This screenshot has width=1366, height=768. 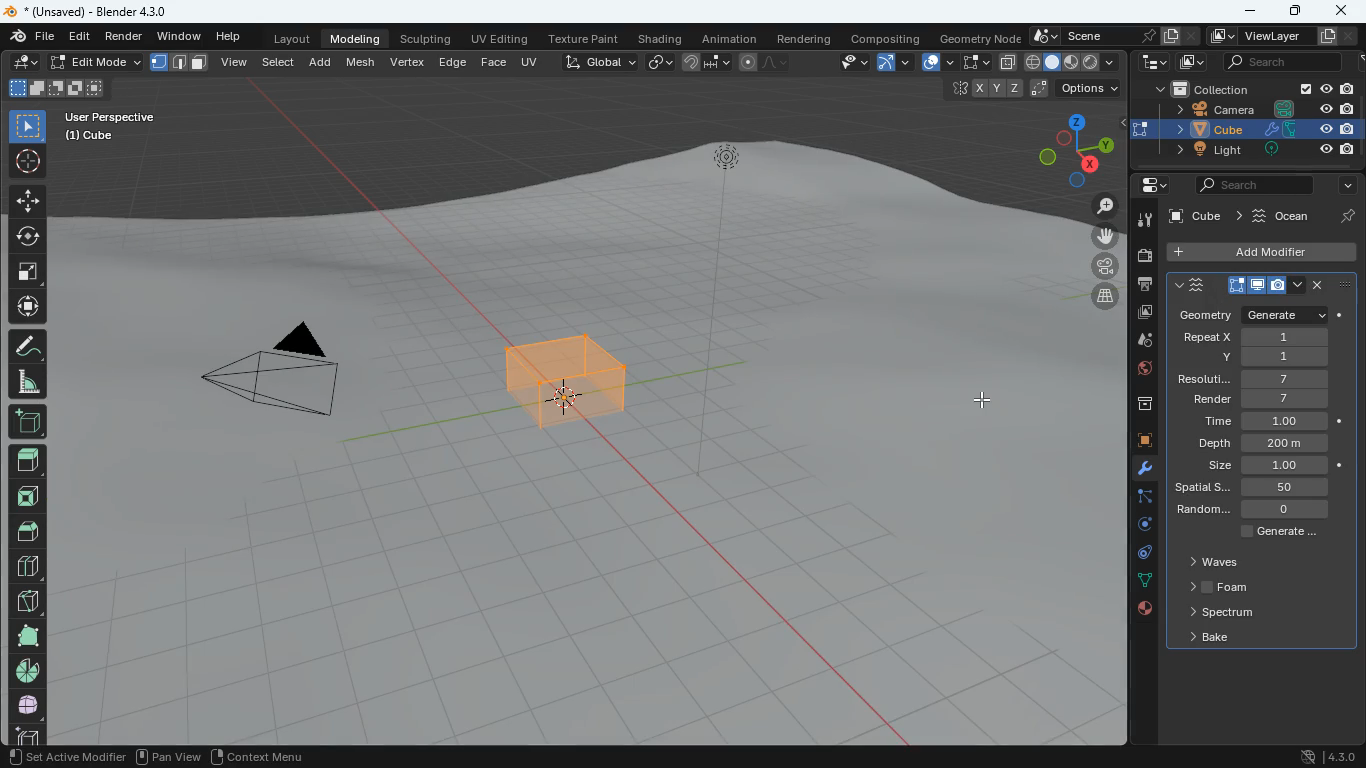 I want to click on ocean, so click(x=1308, y=214).